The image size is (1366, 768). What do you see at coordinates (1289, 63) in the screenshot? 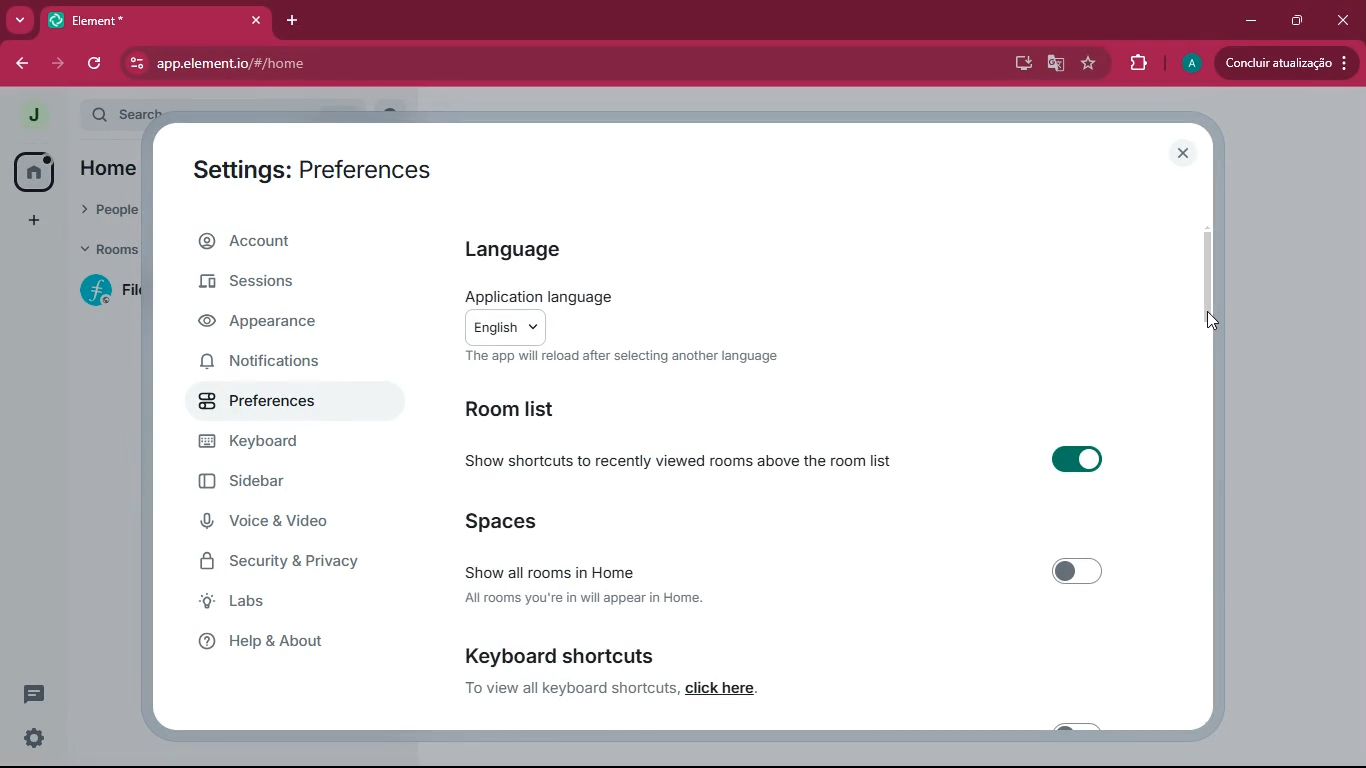
I see `Update` at bounding box center [1289, 63].